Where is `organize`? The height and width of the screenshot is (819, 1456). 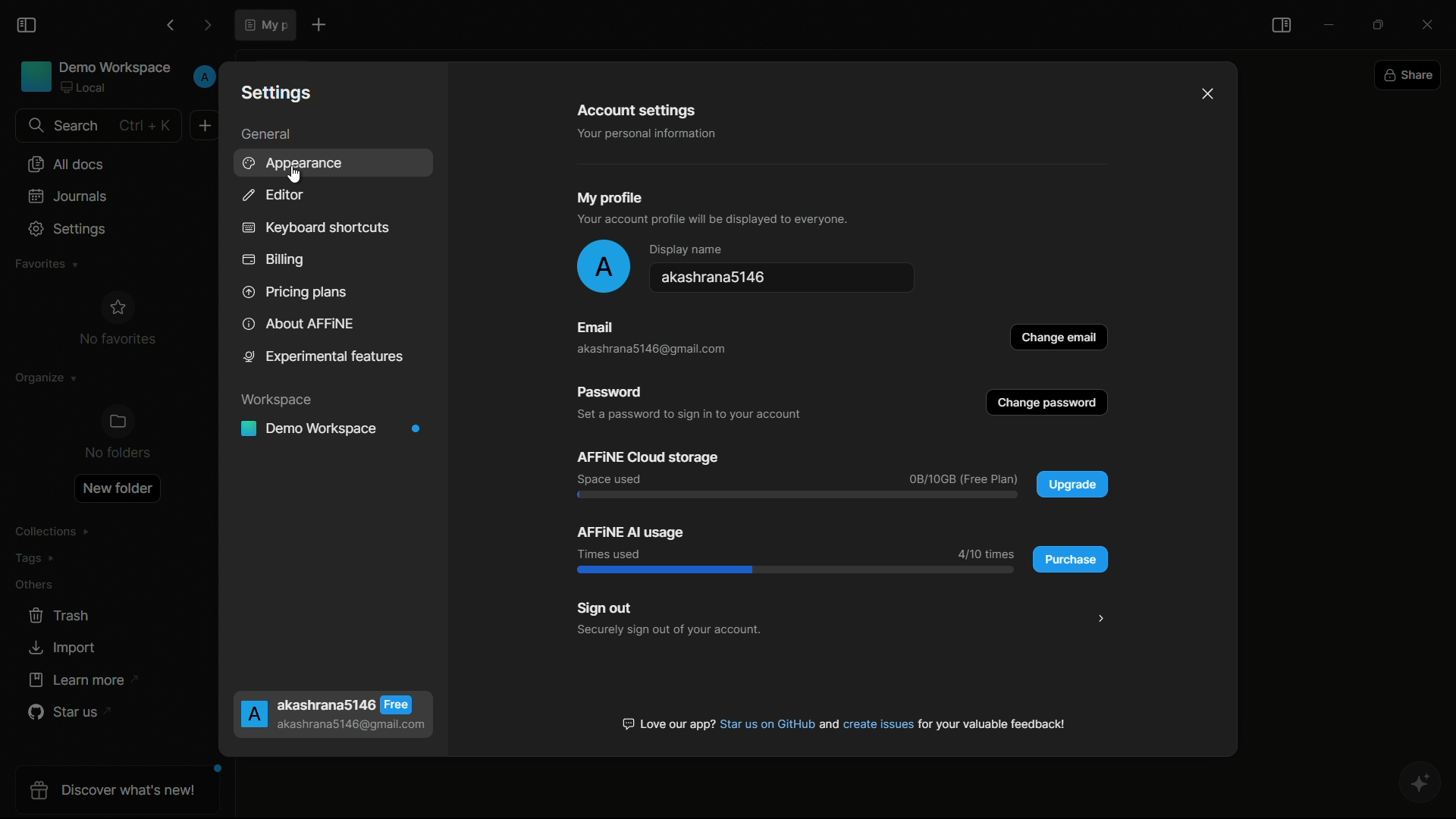
organize is located at coordinates (40, 381).